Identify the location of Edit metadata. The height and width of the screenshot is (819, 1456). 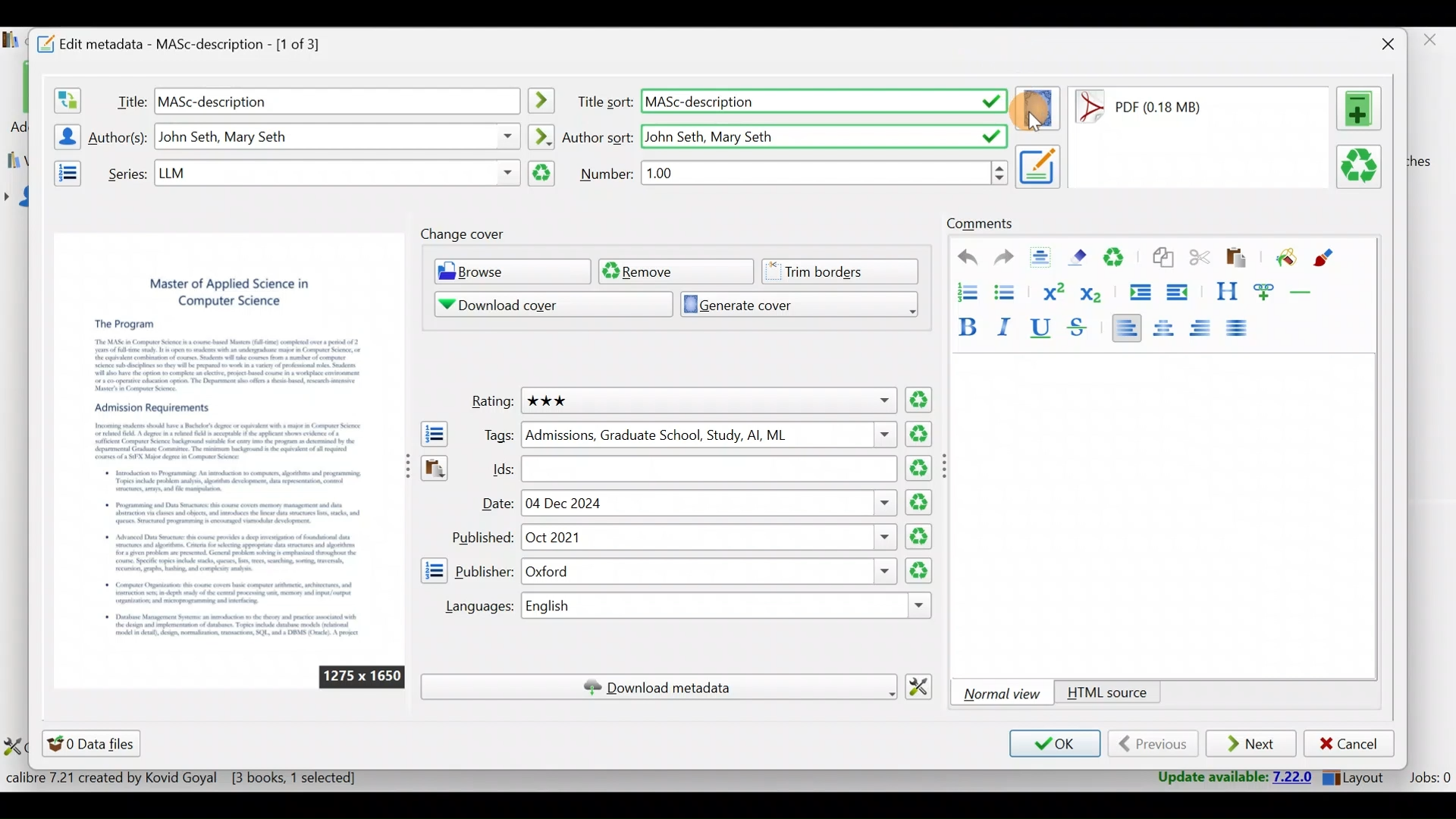
(194, 42).